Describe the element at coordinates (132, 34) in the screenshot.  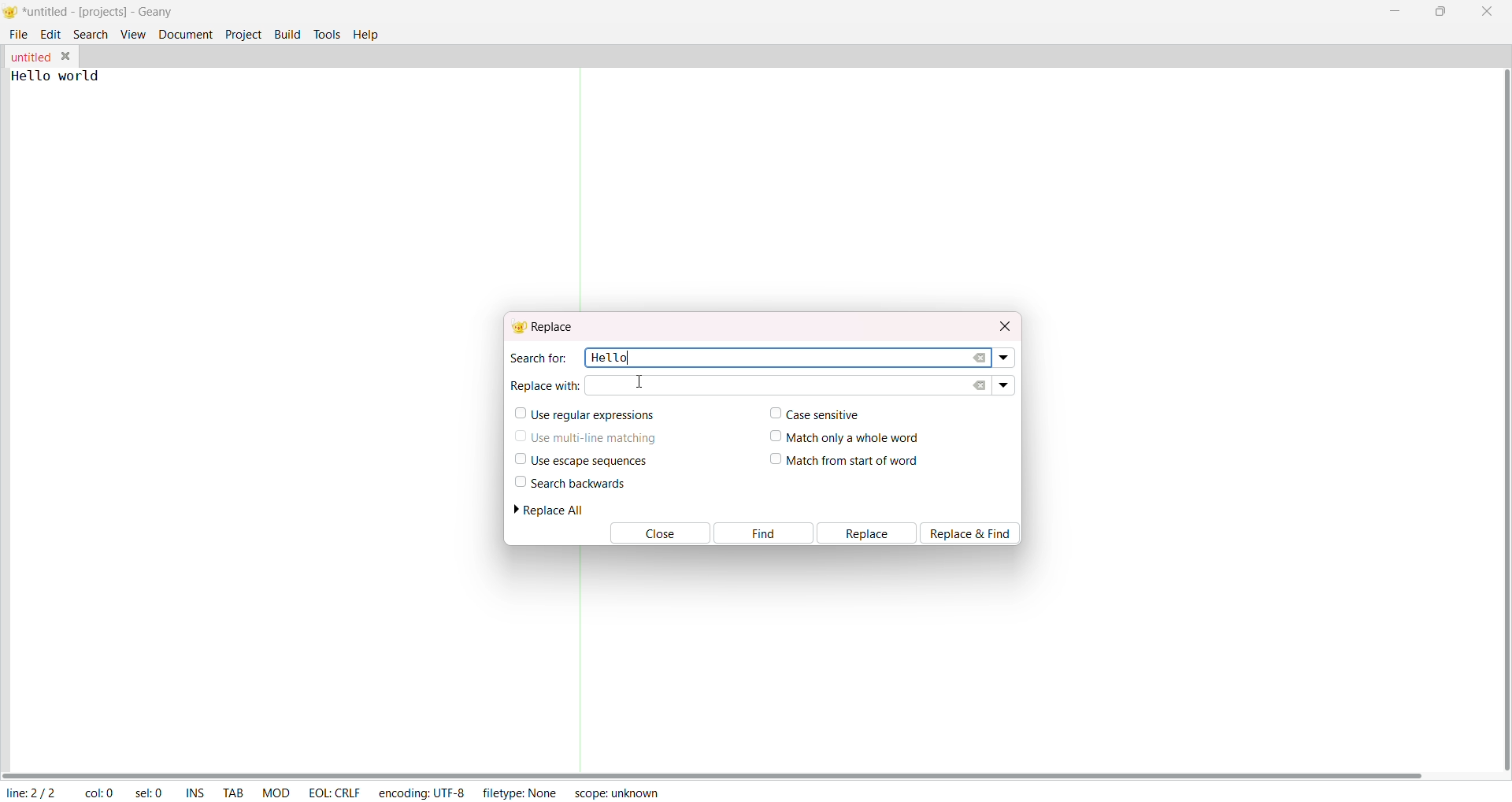
I see `view` at that location.